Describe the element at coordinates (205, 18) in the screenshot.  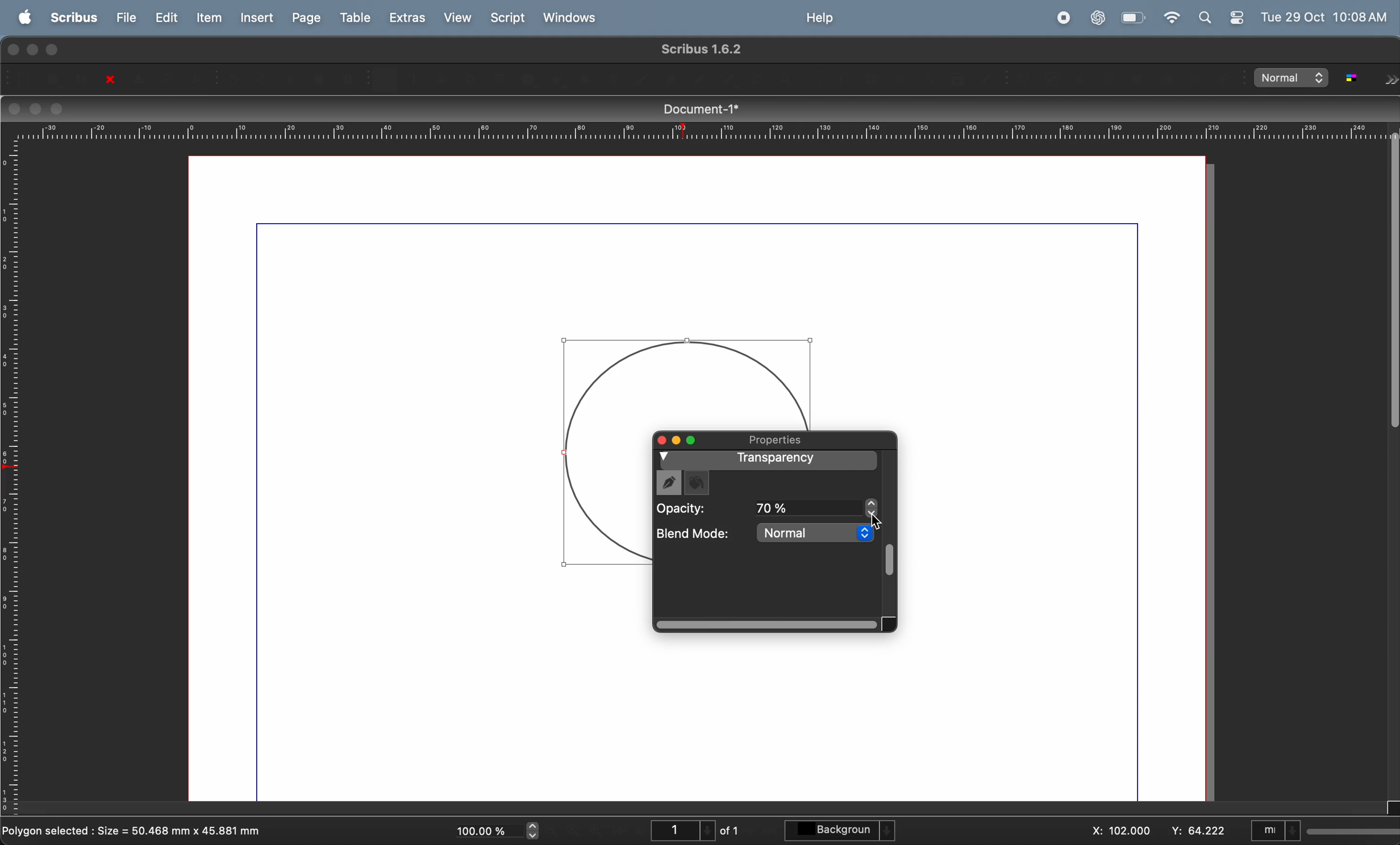
I see `item` at that location.